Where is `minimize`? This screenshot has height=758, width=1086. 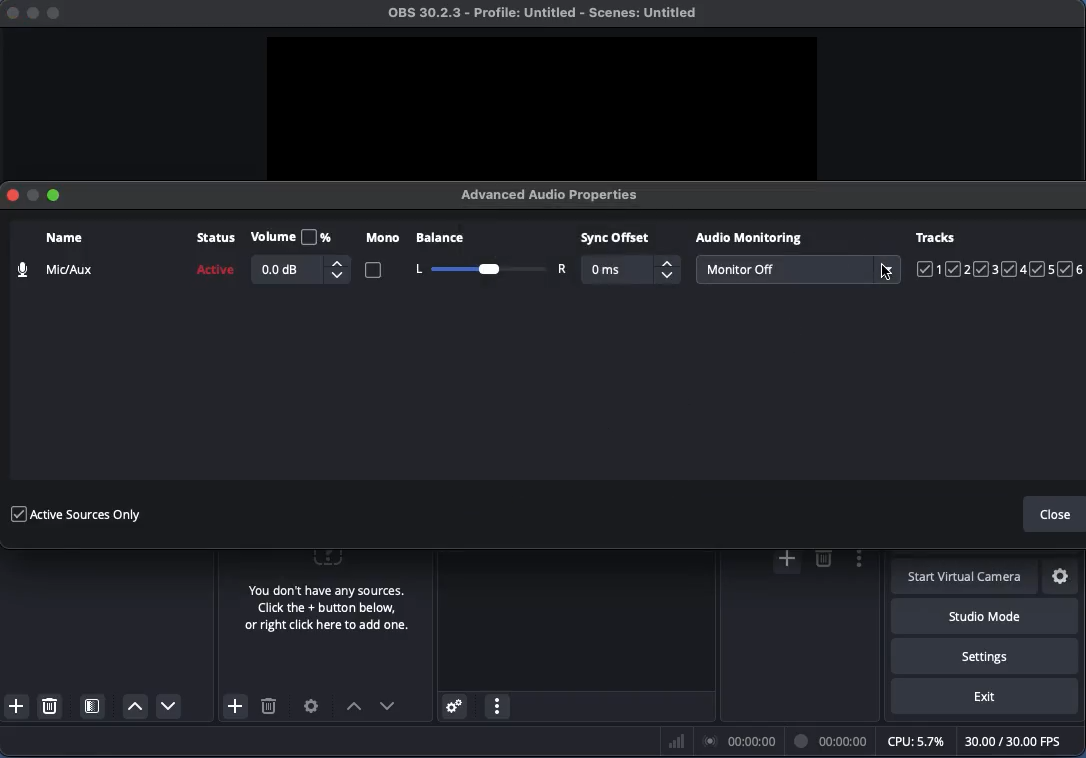
minimize is located at coordinates (30, 16).